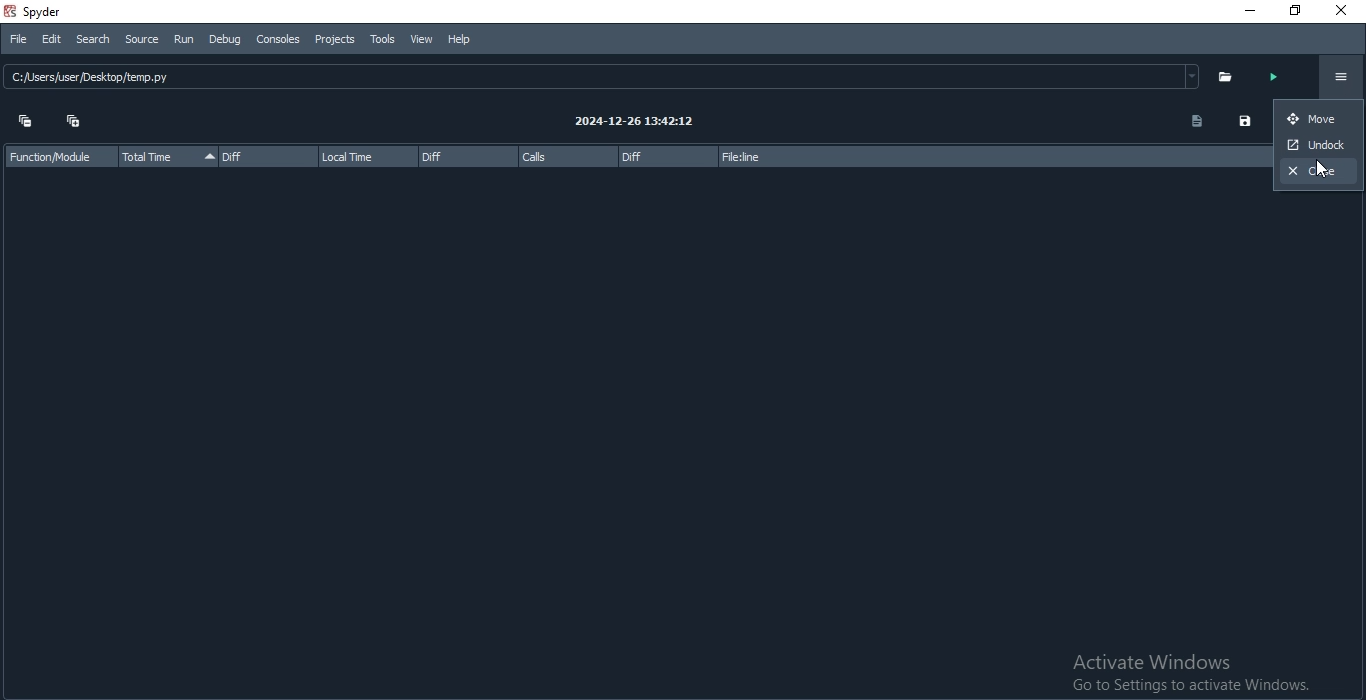  What do you see at coordinates (18, 38) in the screenshot?
I see `File ` at bounding box center [18, 38].